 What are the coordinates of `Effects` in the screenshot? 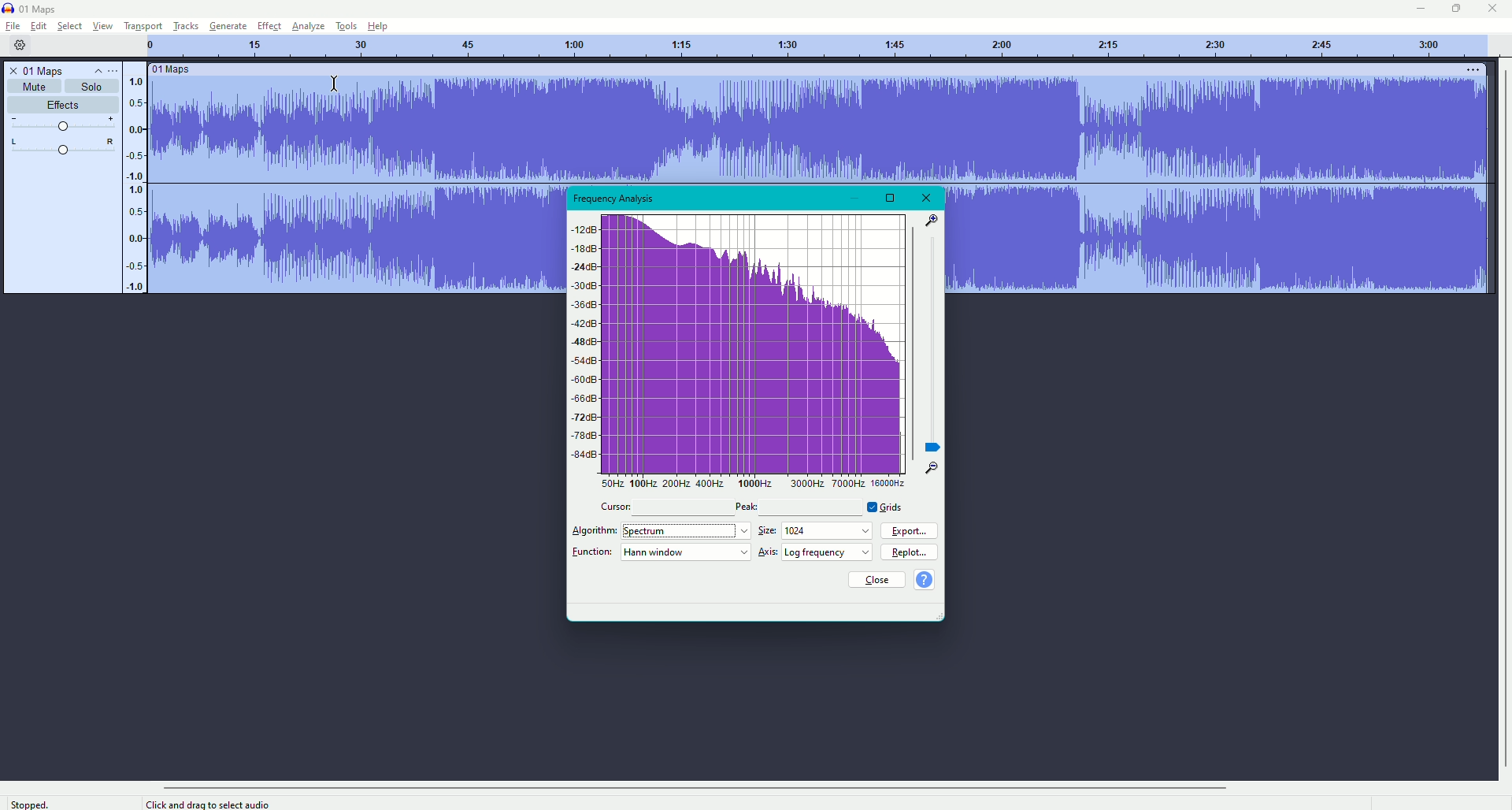 It's located at (61, 105).